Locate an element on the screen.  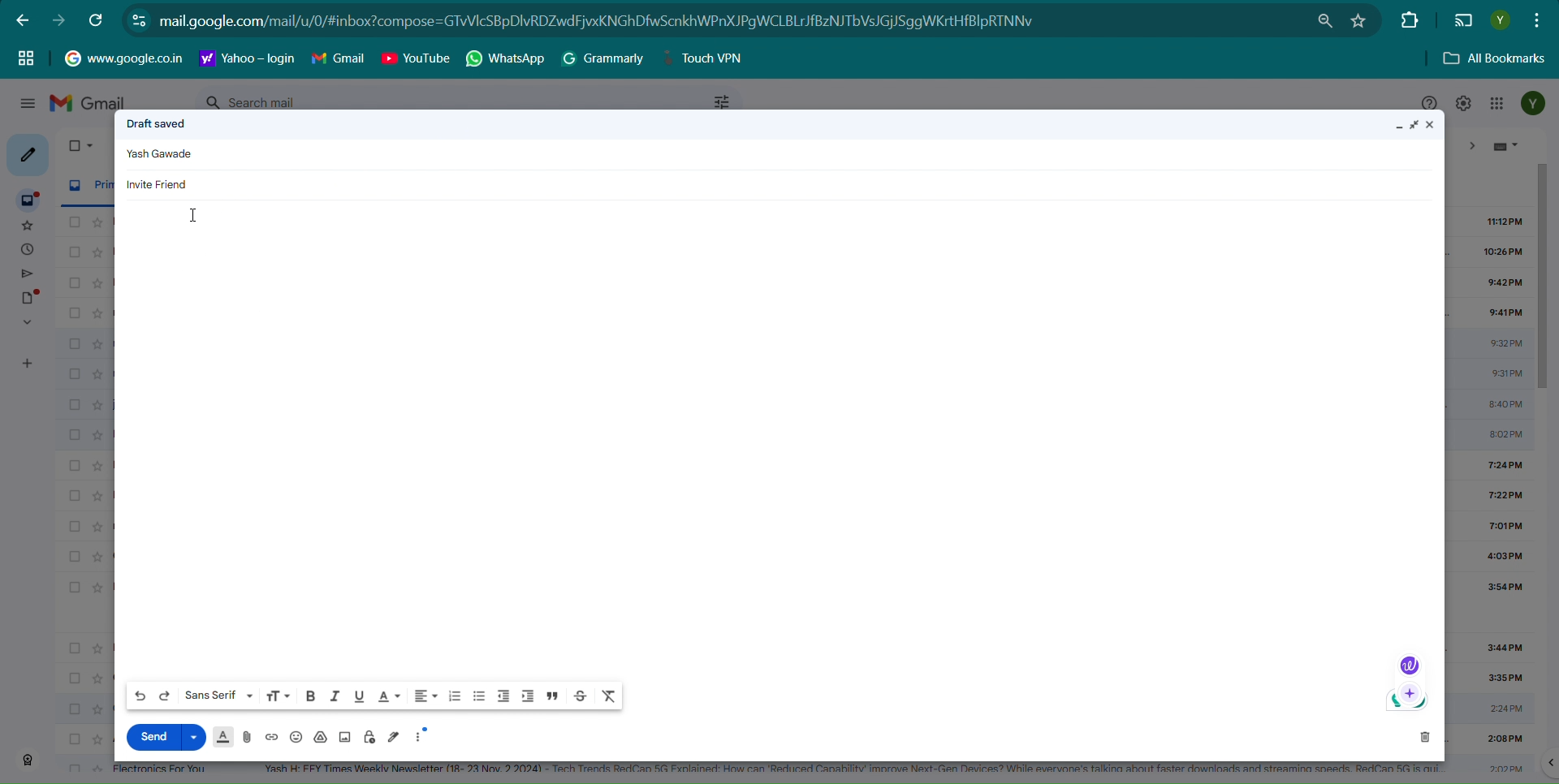
Size is located at coordinates (278, 696).